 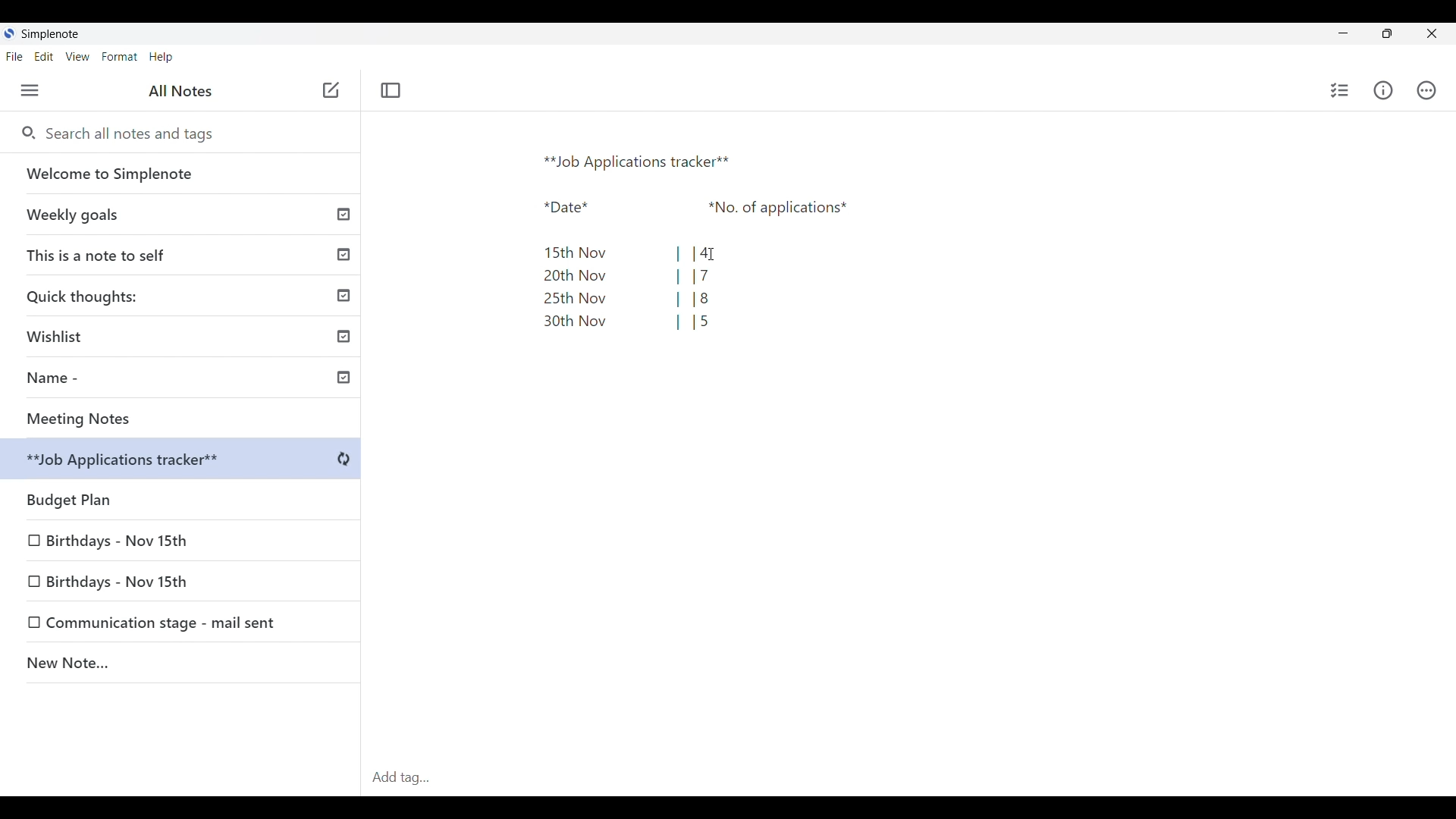 What do you see at coordinates (8, 33) in the screenshot?
I see `Software logo` at bounding box center [8, 33].